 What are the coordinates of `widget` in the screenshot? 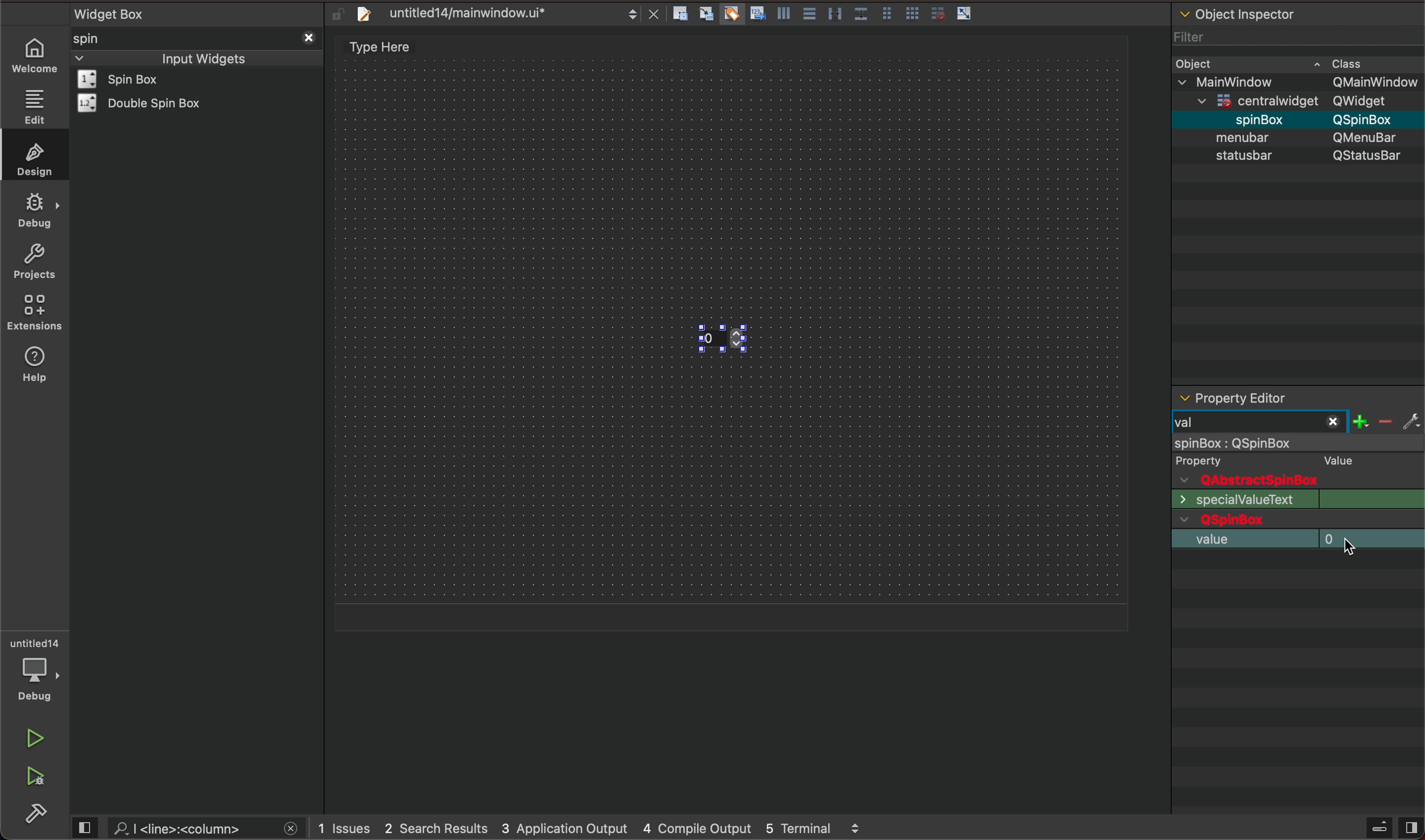 It's located at (146, 103).